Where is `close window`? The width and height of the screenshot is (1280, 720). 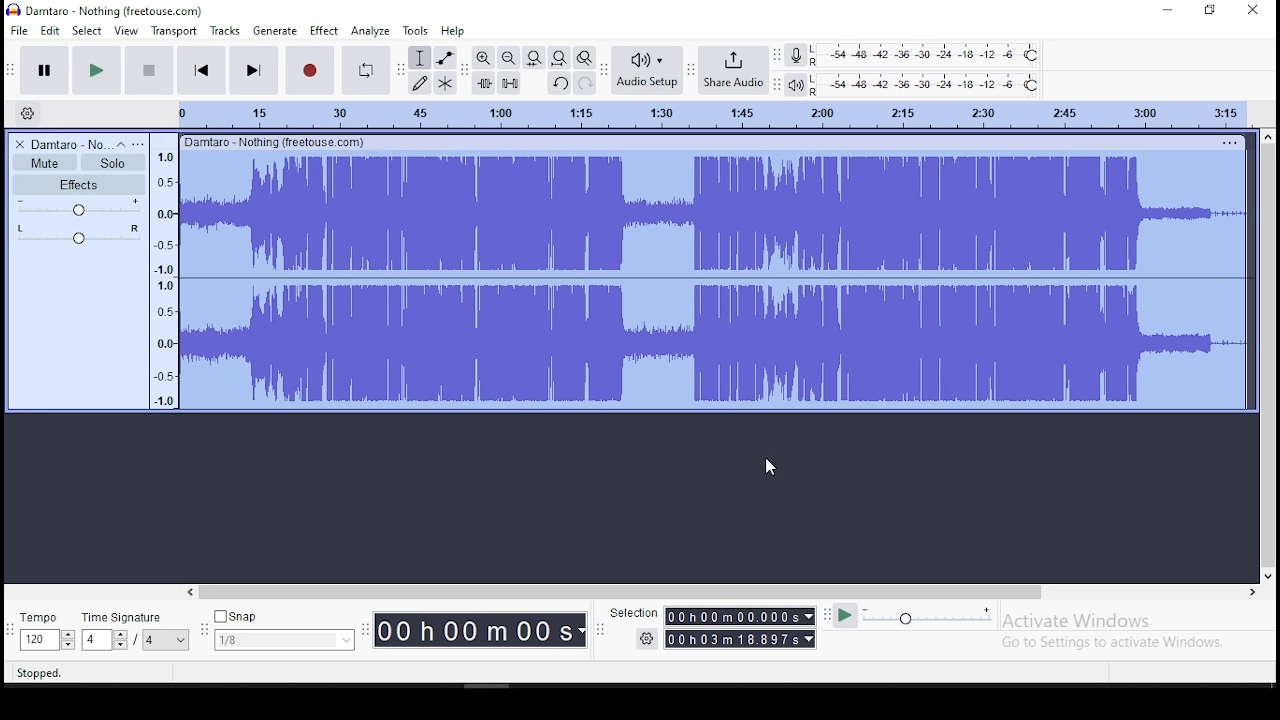
close window is located at coordinates (1255, 11).